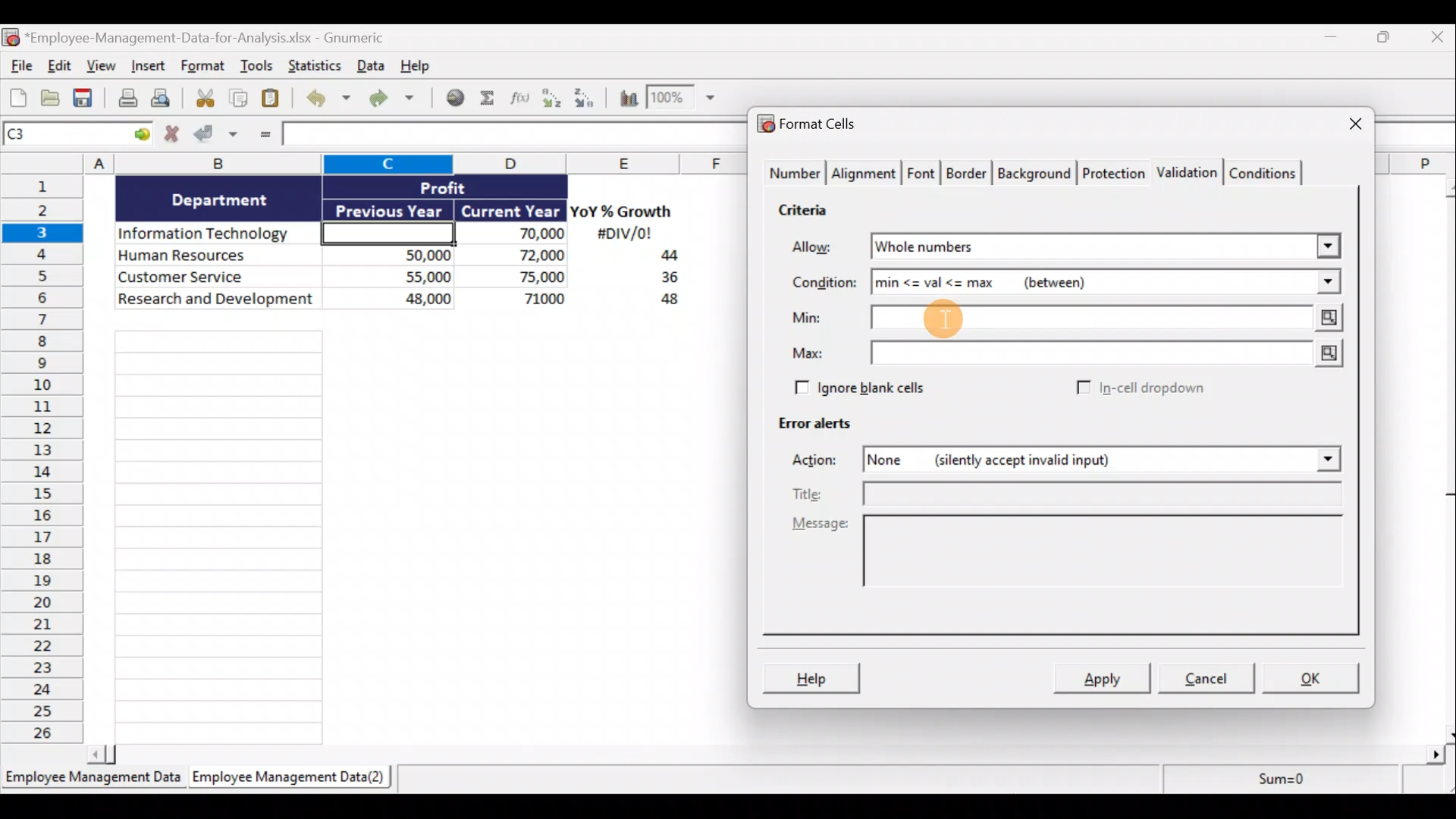  Describe the element at coordinates (420, 64) in the screenshot. I see `Help` at that location.